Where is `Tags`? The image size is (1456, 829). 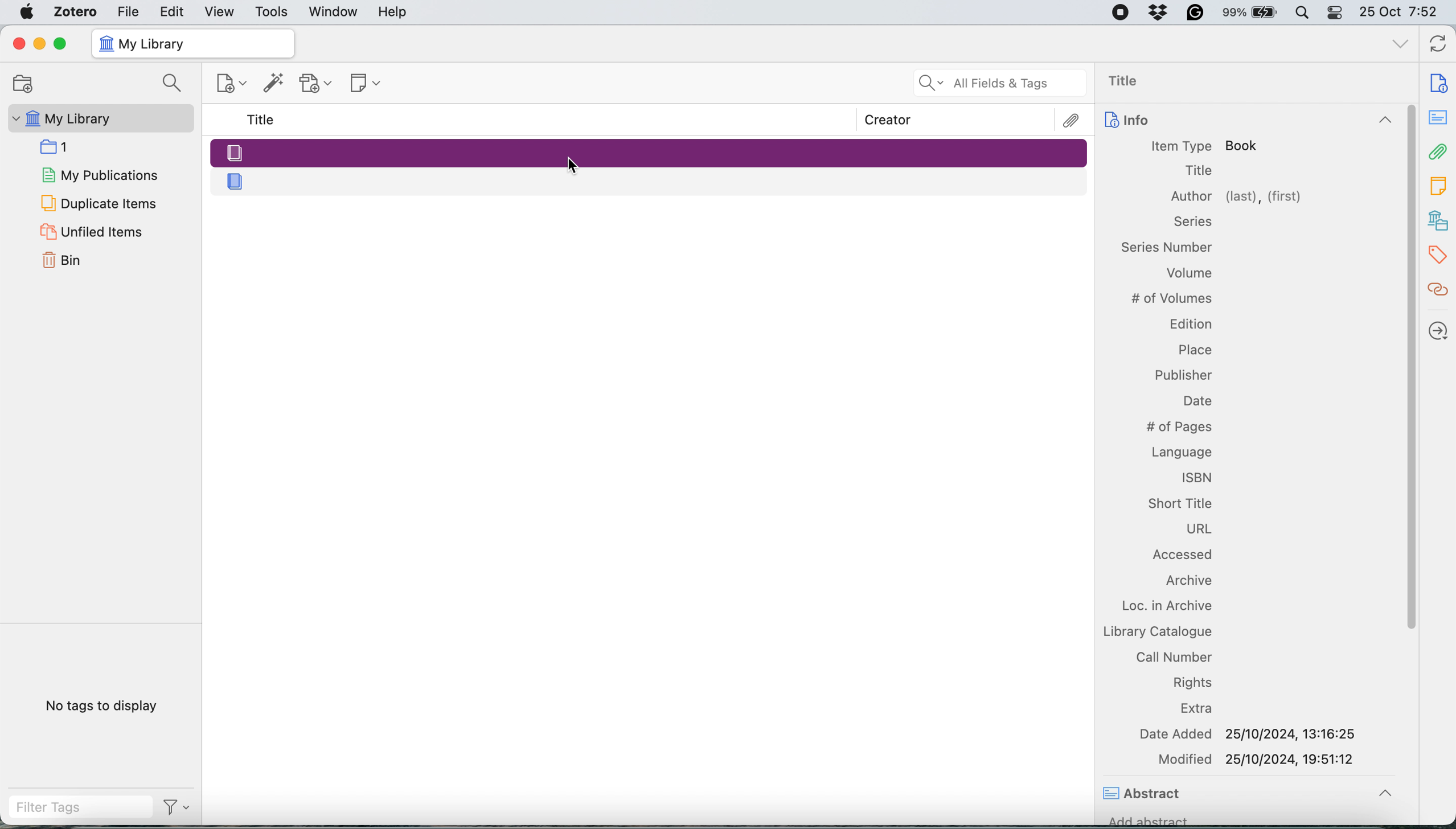 Tags is located at coordinates (1441, 255).